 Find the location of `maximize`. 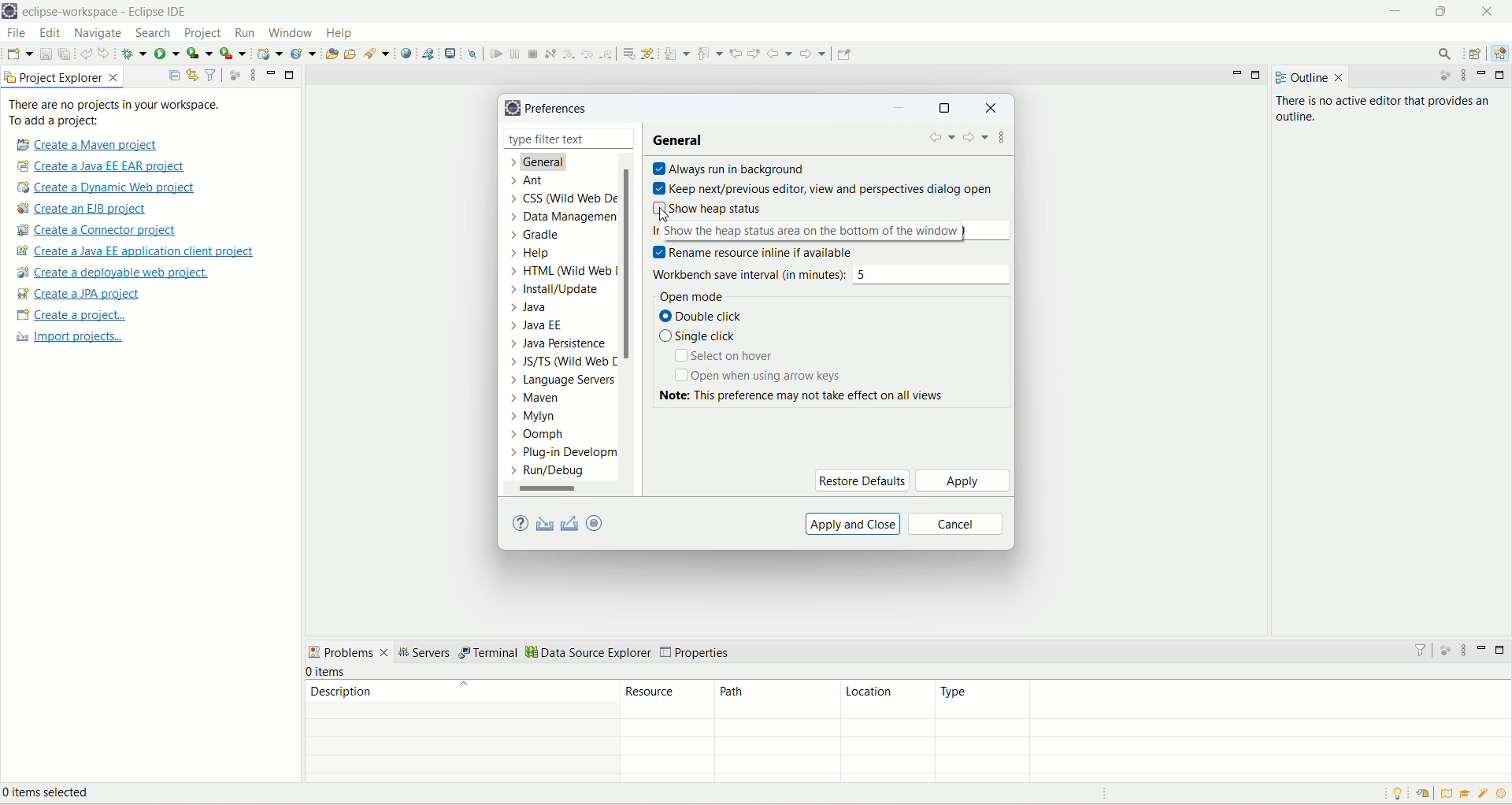

maximize is located at coordinates (1503, 650).